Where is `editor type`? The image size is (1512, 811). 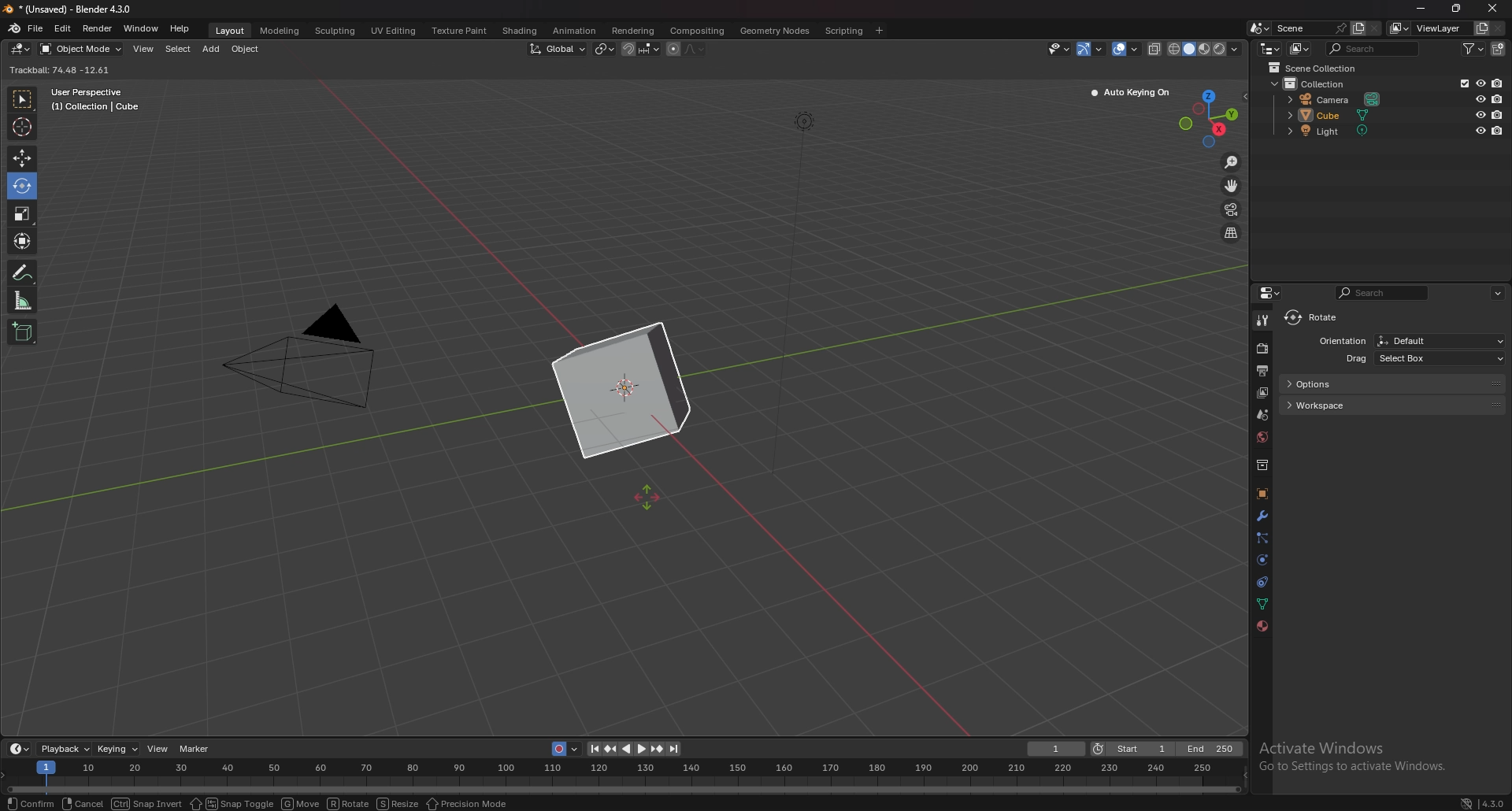 editor type is located at coordinates (1269, 49).